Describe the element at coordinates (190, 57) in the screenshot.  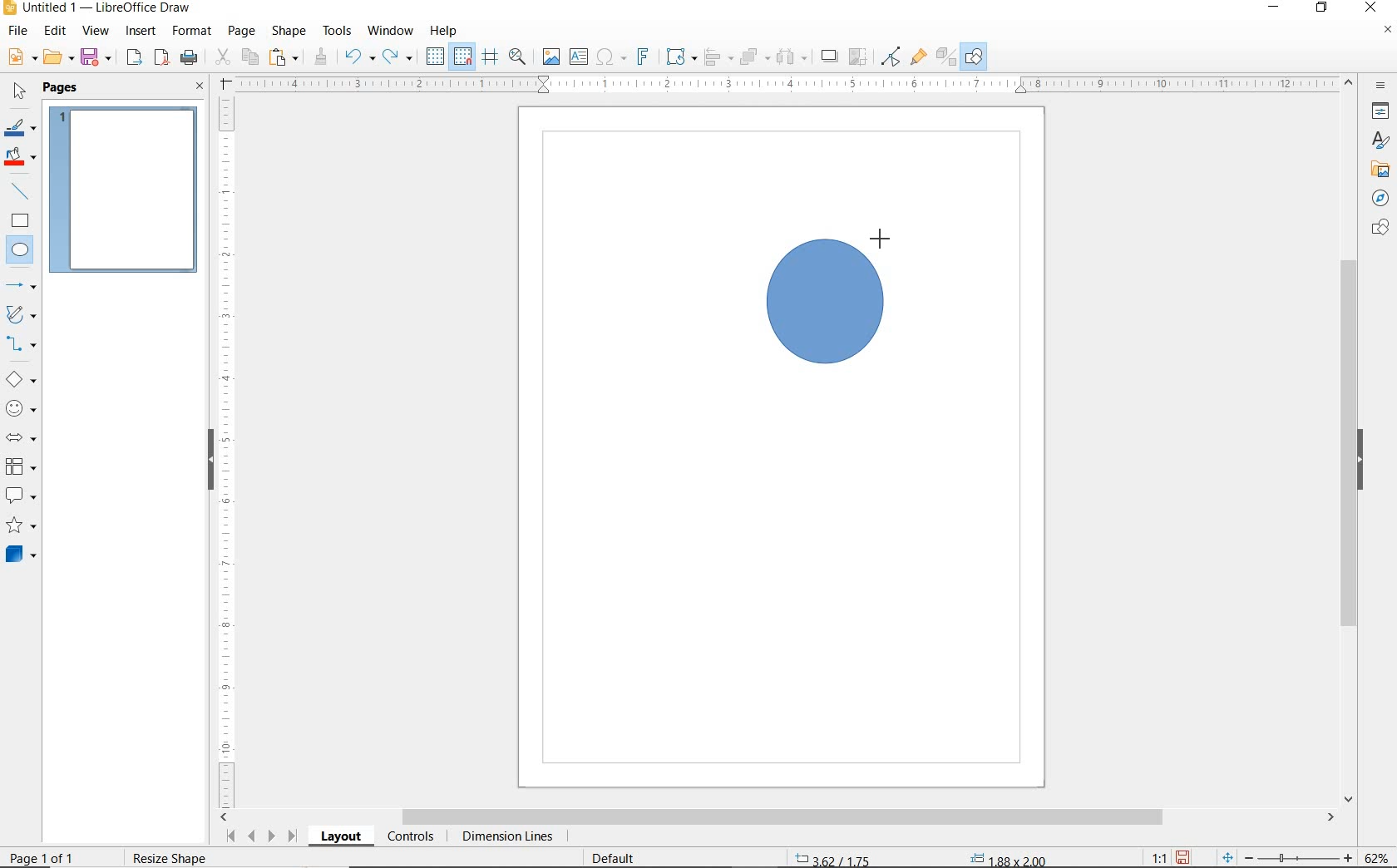
I see `PRINT` at that location.